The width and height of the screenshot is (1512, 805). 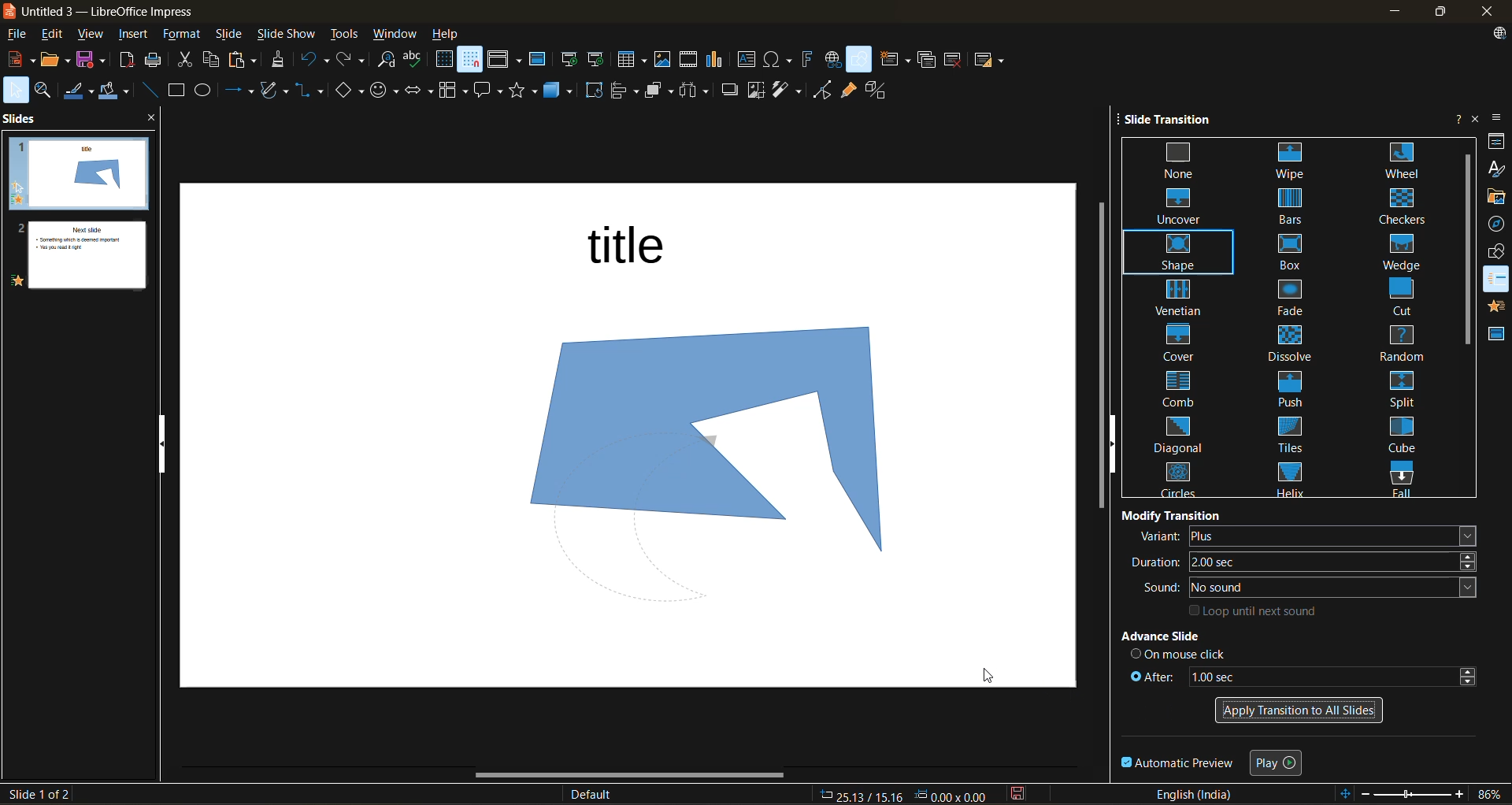 What do you see at coordinates (140, 35) in the screenshot?
I see `insert` at bounding box center [140, 35].